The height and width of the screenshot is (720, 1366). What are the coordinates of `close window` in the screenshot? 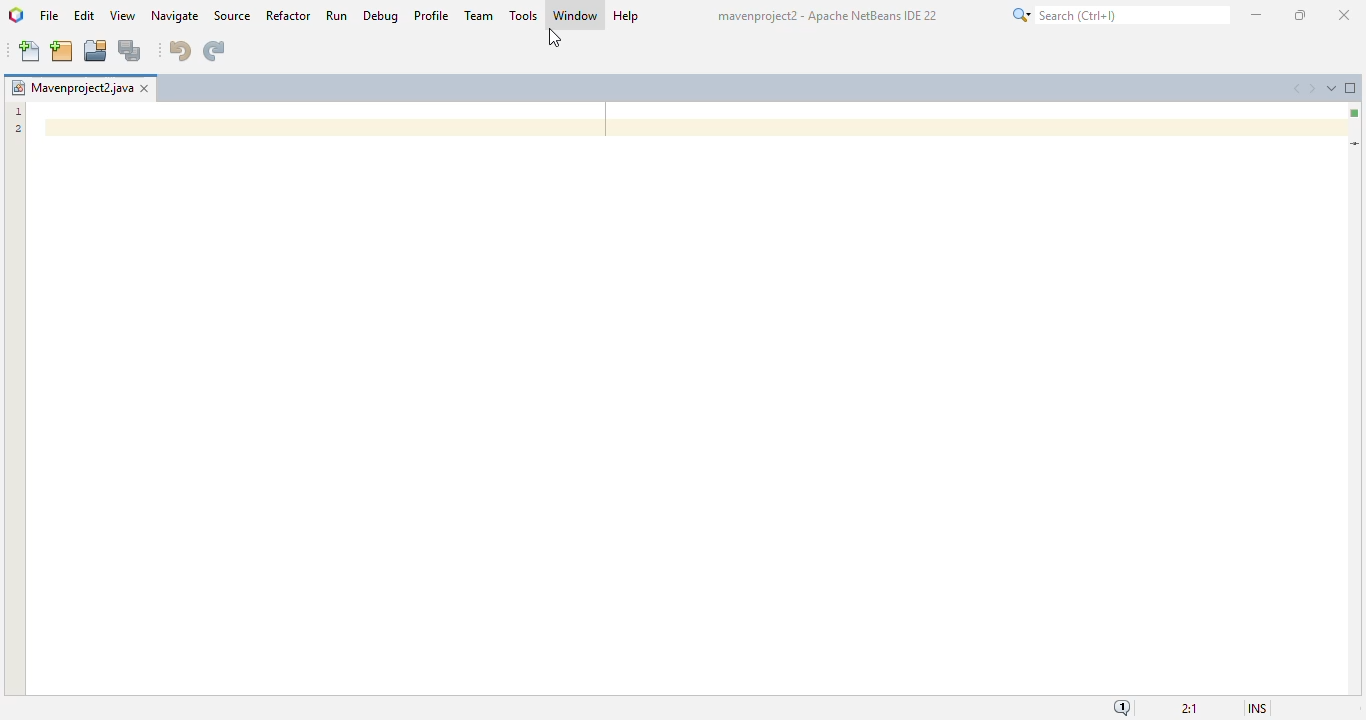 It's located at (144, 88).